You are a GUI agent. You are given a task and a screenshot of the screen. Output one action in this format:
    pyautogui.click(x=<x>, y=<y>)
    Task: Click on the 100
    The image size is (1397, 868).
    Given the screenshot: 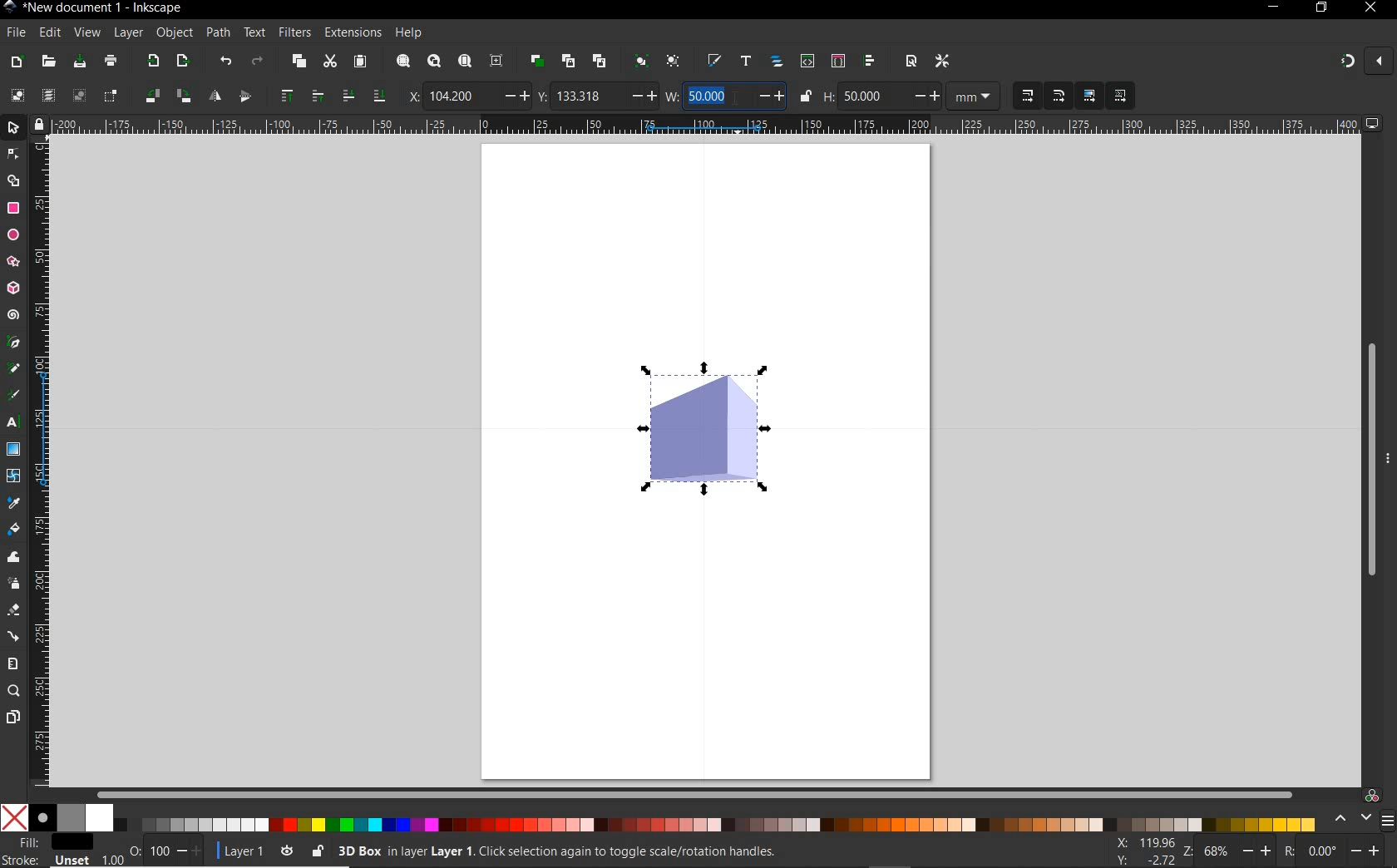 What is the action you would take?
    pyautogui.click(x=159, y=851)
    